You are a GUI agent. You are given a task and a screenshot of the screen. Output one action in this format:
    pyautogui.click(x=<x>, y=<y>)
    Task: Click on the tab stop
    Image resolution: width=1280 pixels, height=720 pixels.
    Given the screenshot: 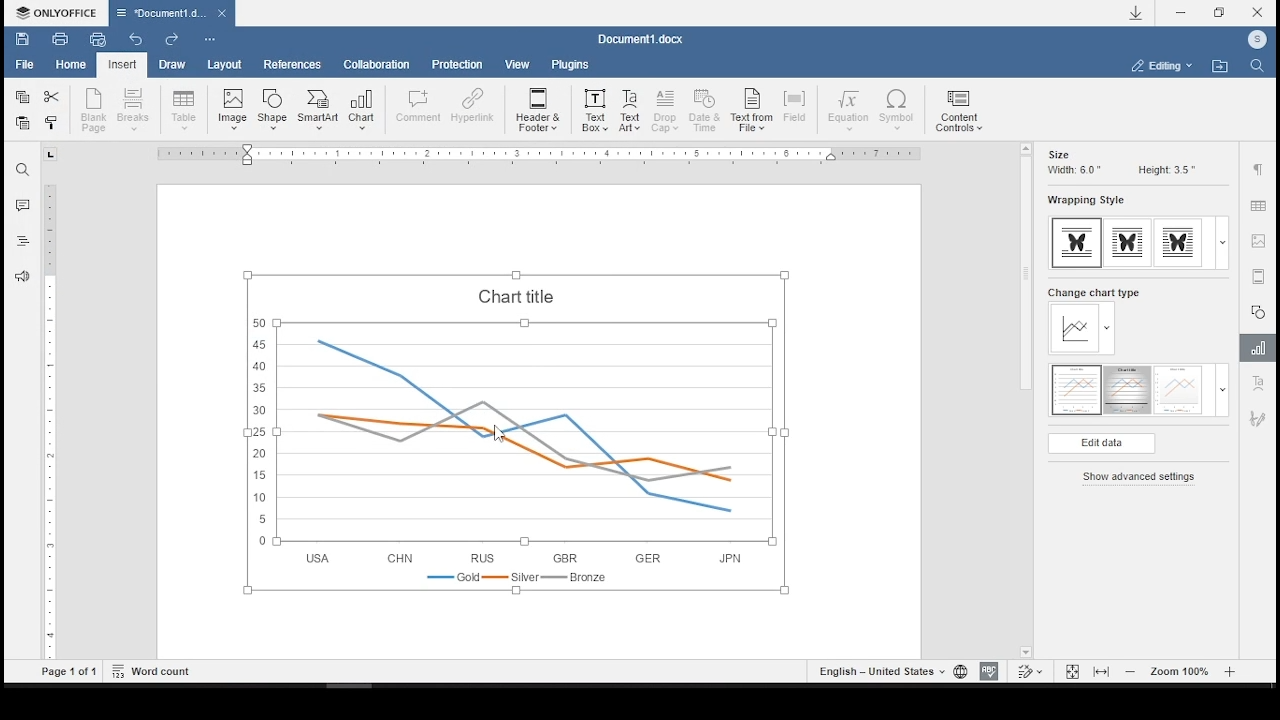 What is the action you would take?
    pyautogui.click(x=50, y=154)
    